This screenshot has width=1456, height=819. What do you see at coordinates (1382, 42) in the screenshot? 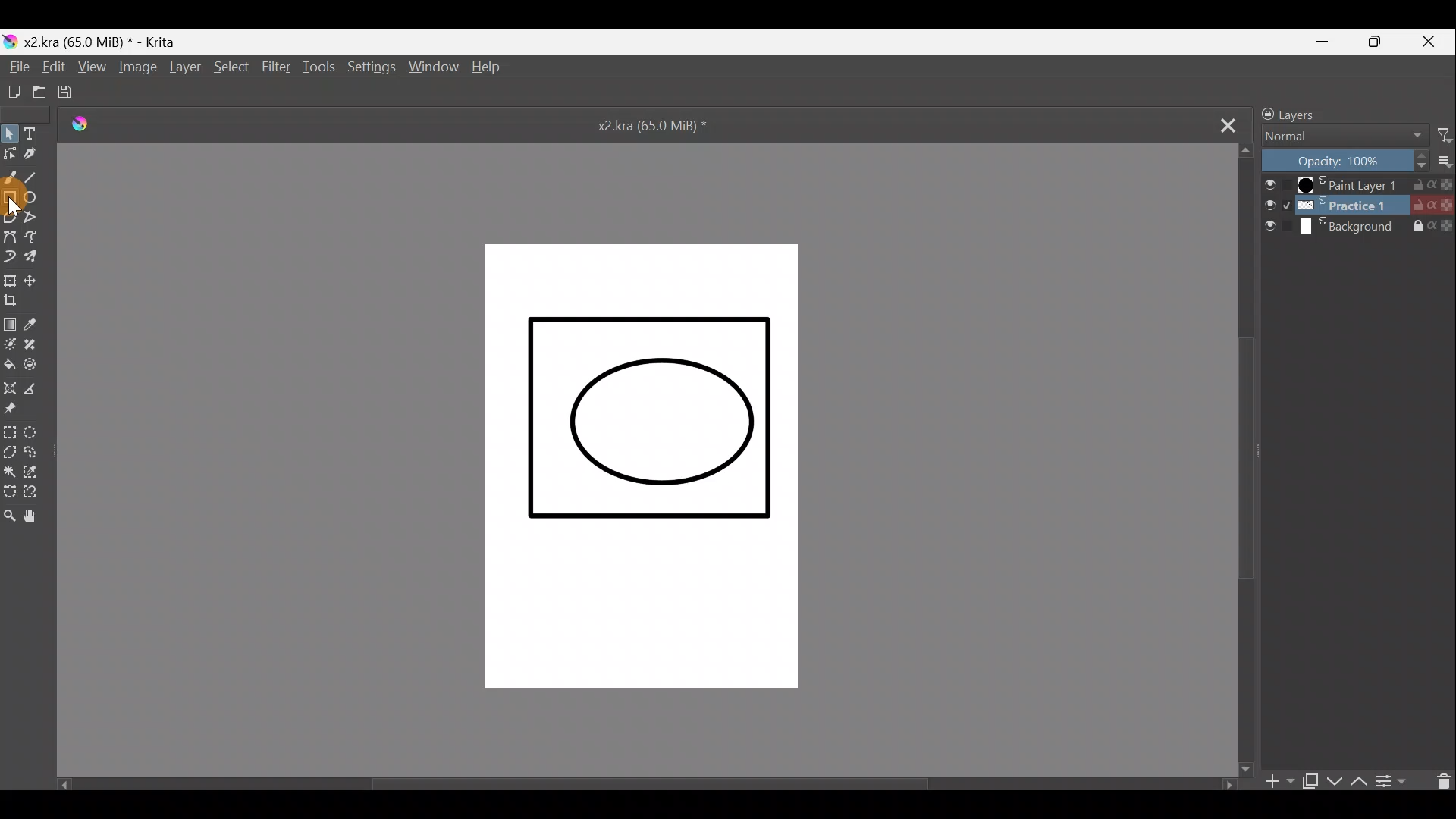
I see `Maximize` at bounding box center [1382, 42].